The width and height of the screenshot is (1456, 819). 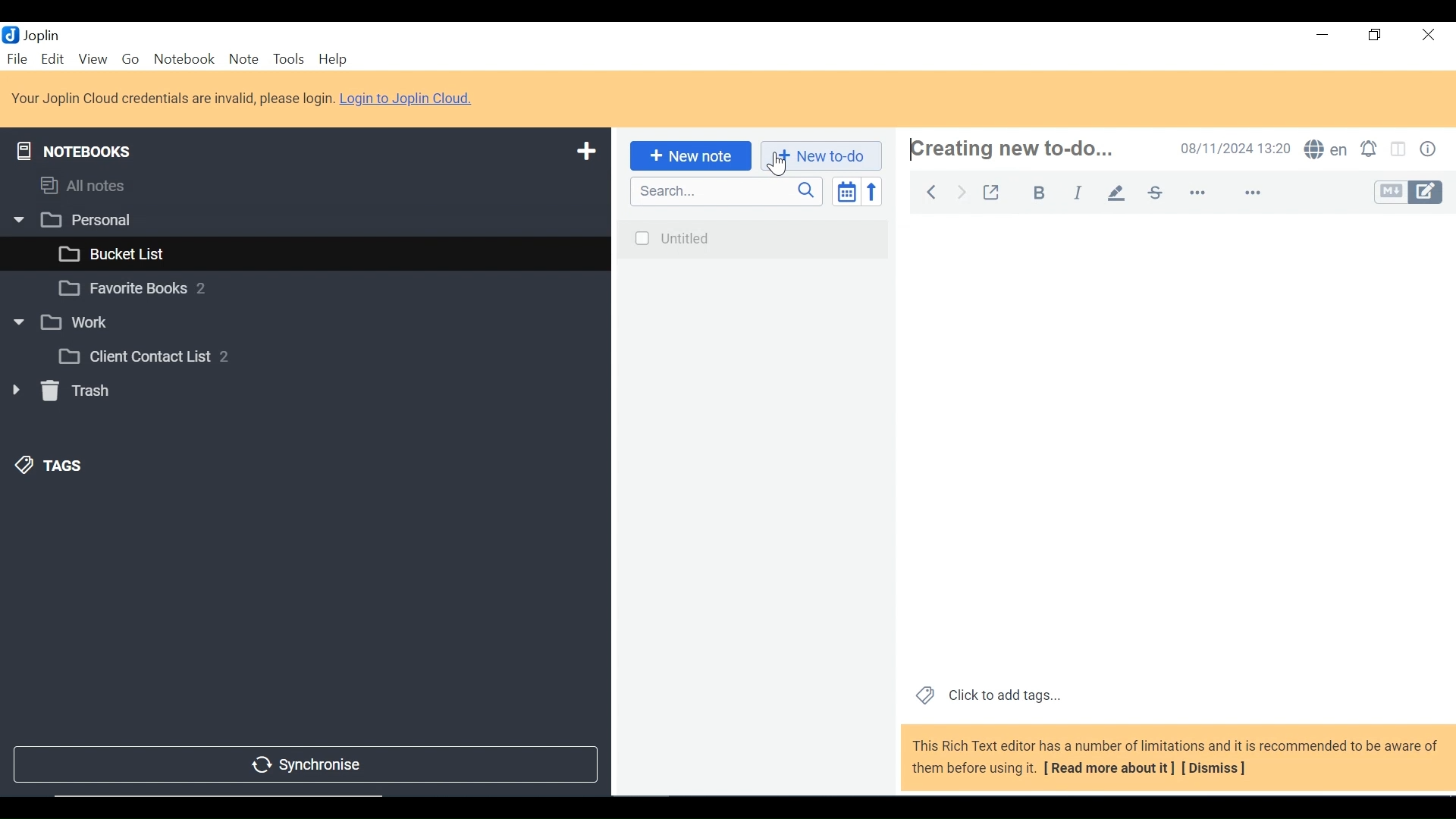 I want to click on cursor, so click(x=774, y=165).